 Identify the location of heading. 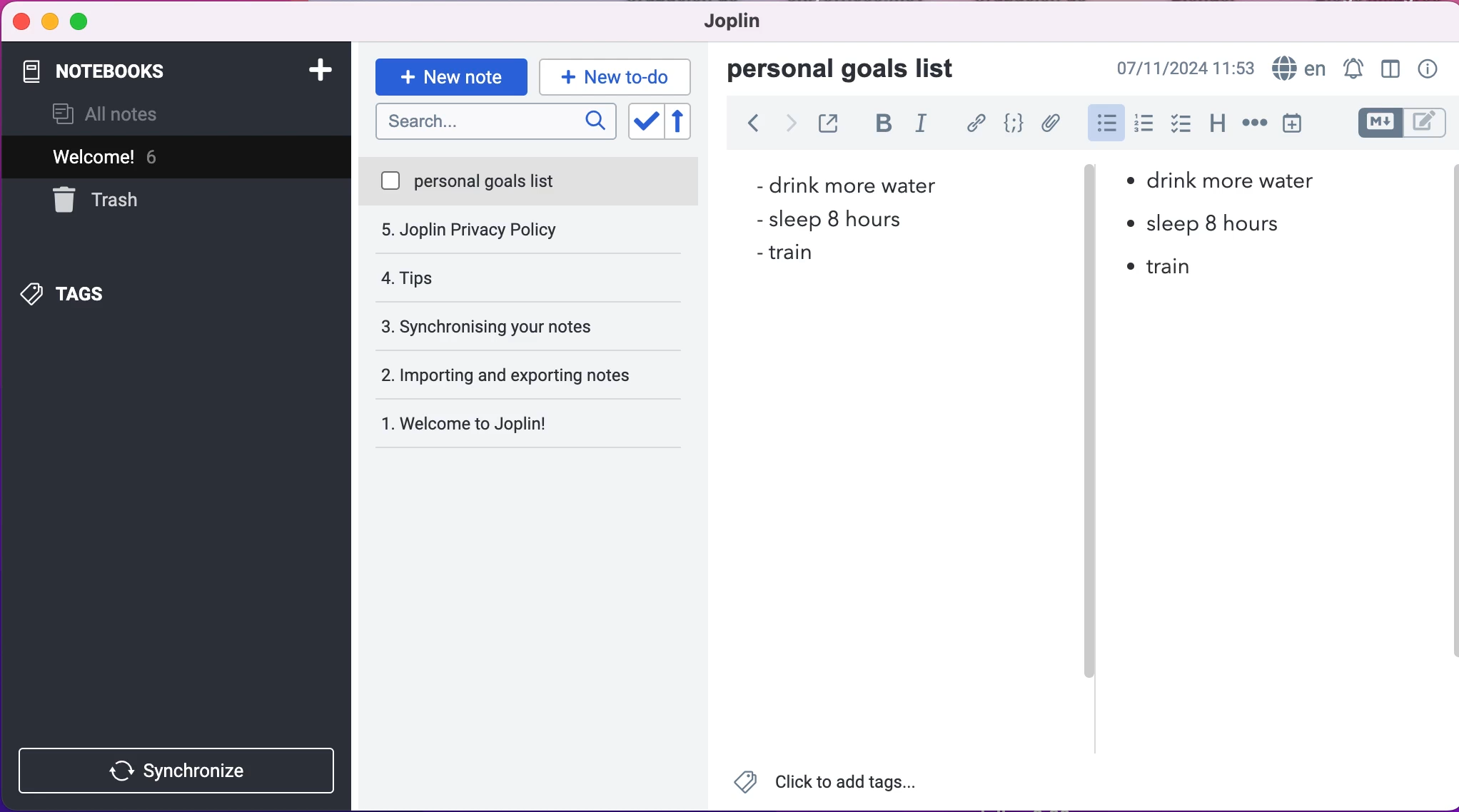
(1217, 127).